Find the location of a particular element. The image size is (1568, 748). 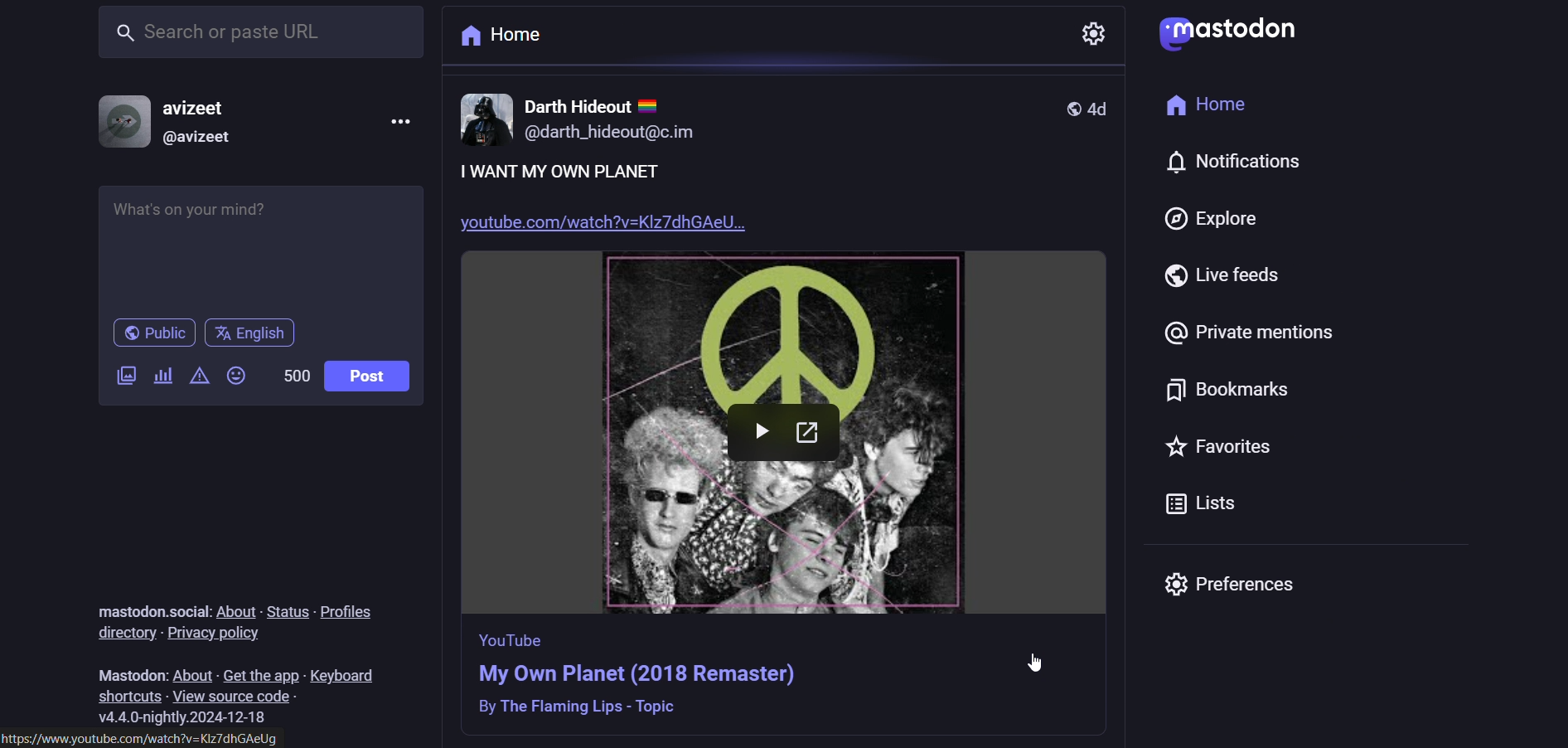

home is located at coordinates (519, 38).